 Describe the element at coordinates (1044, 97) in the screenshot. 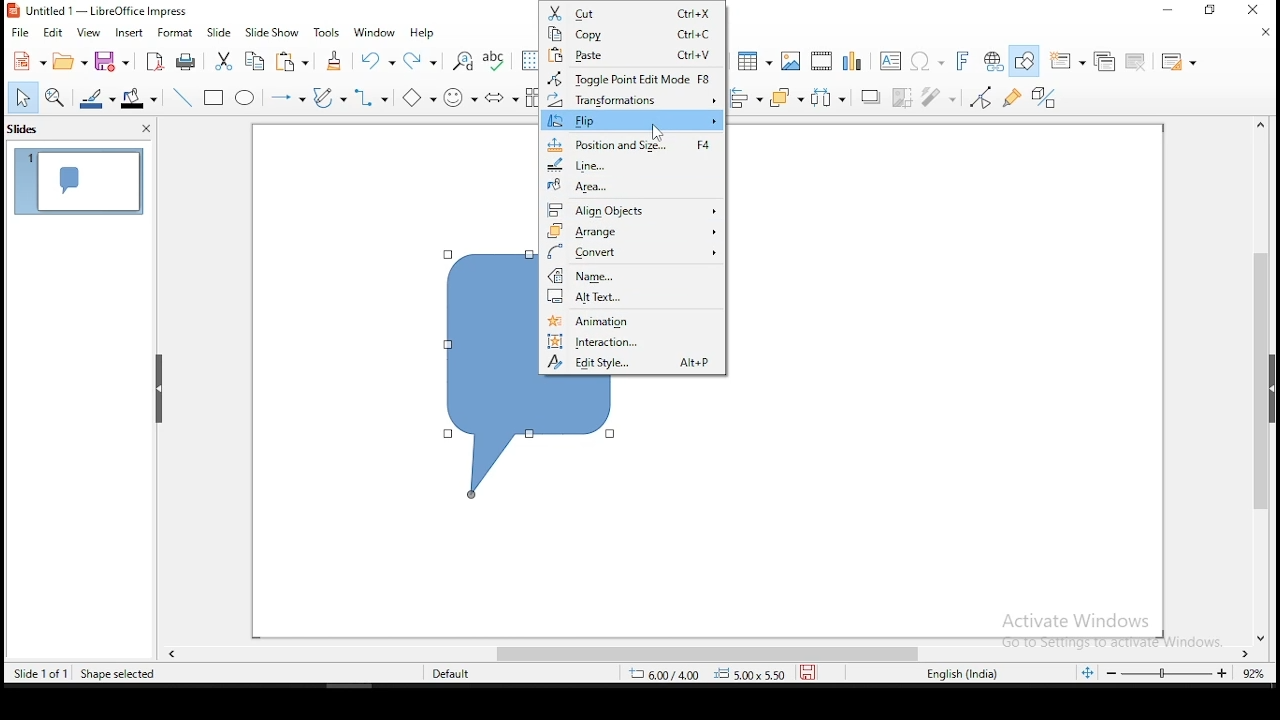

I see `toggle extrusion` at that location.